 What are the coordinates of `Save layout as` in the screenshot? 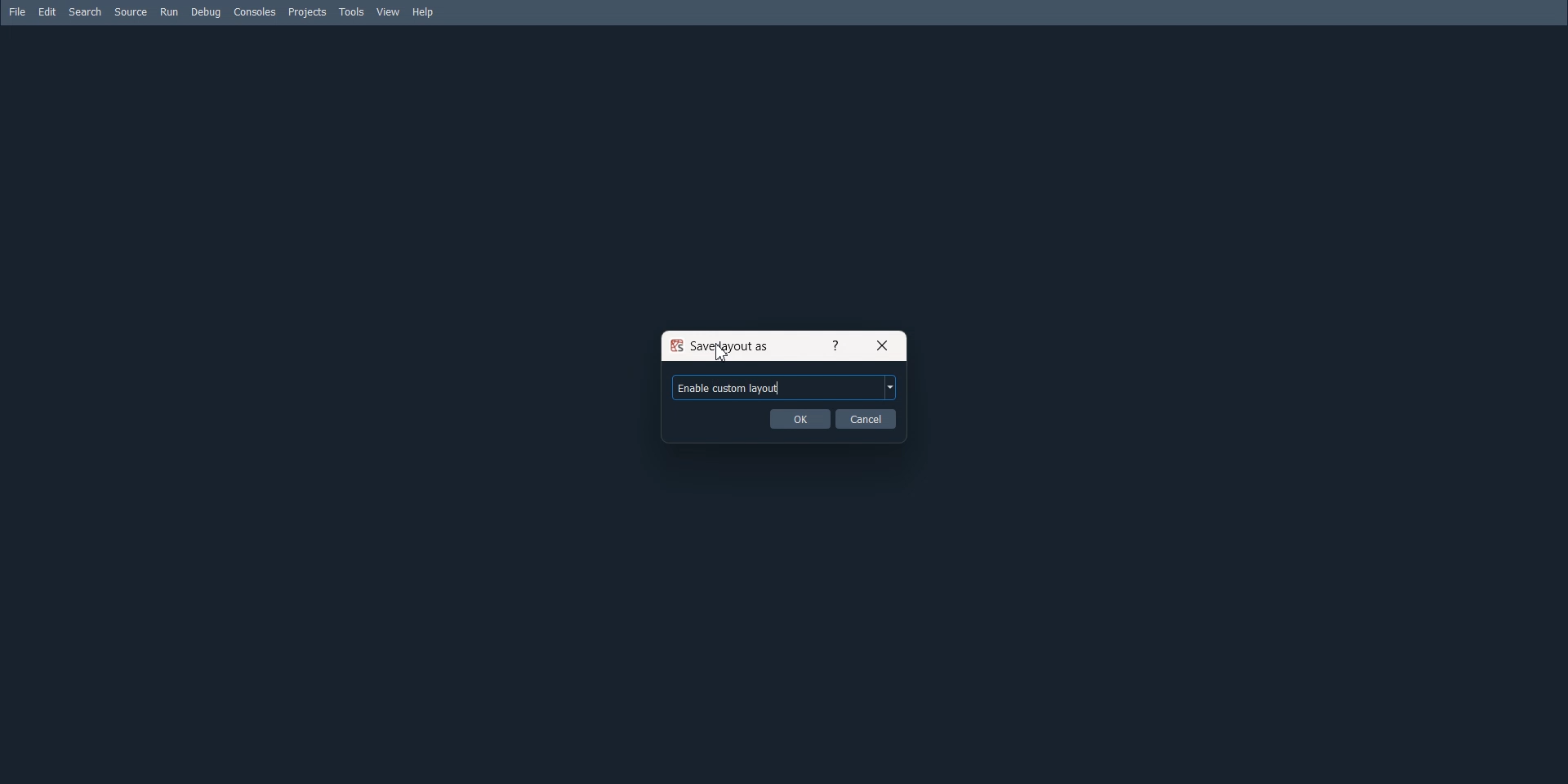 It's located at (726, 345).